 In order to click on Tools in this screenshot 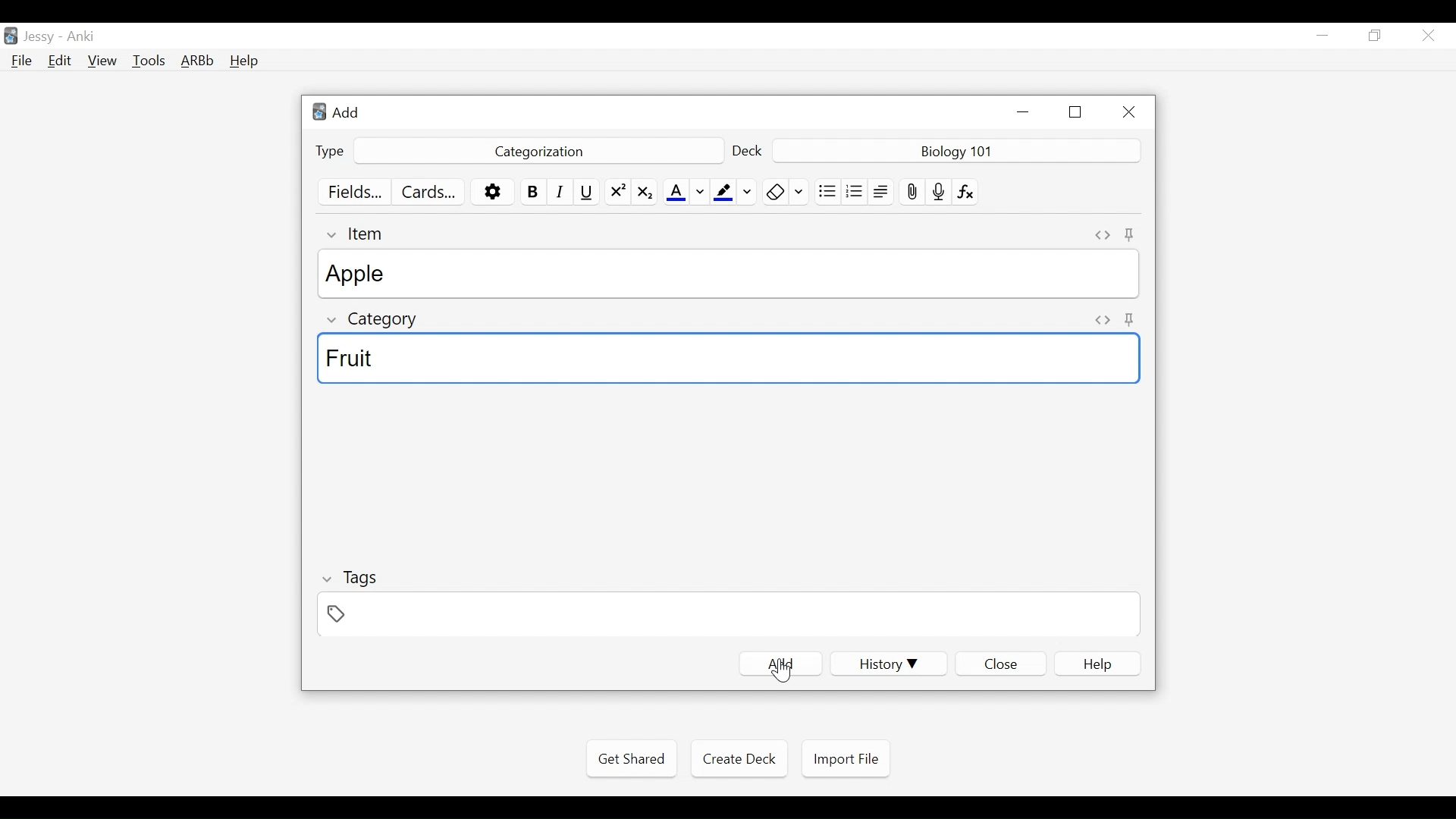, I will do `click(149, 60)`.